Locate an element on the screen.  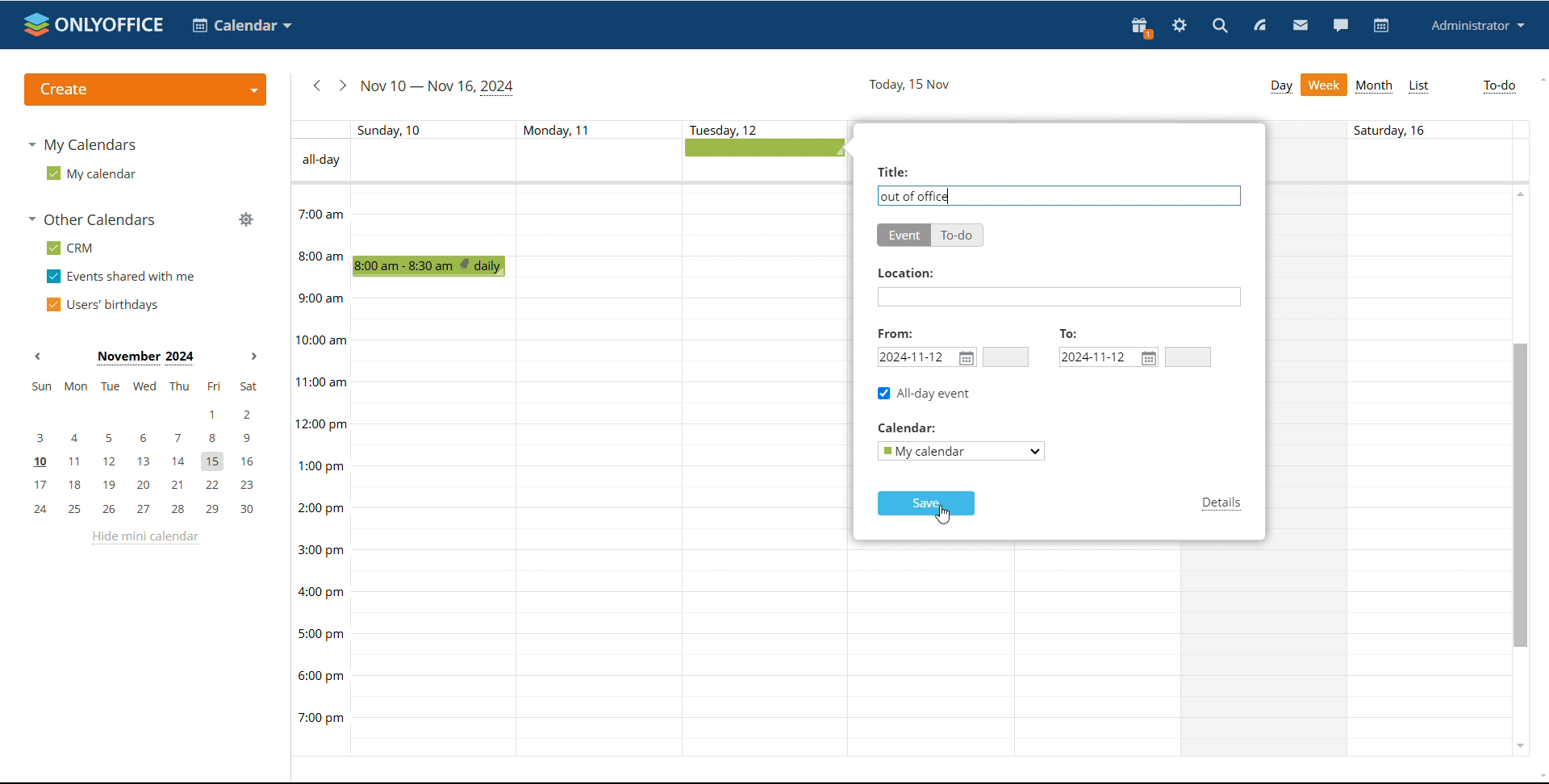
chat is located at coordinates (1338, 25).